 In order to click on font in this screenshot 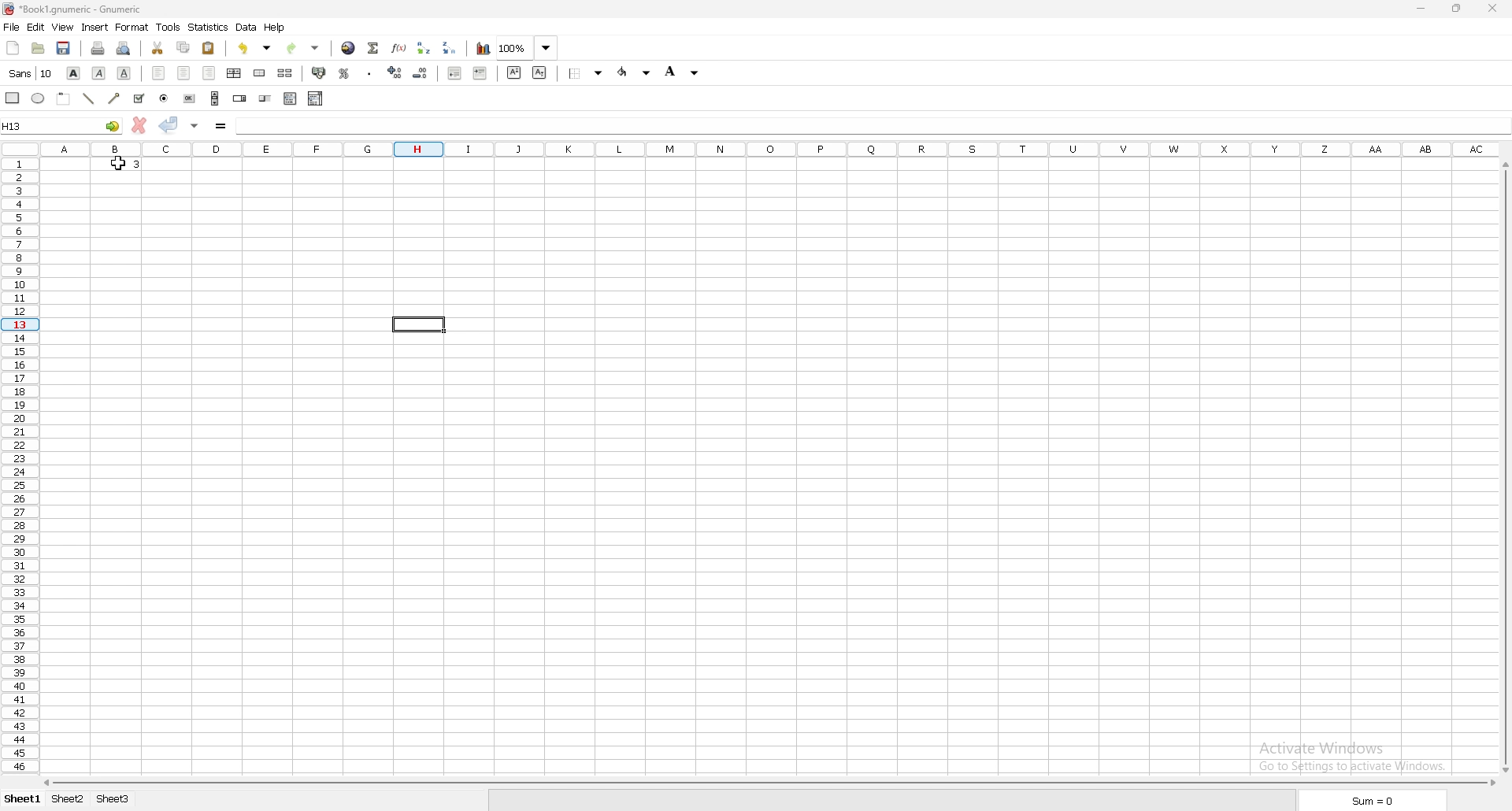, I will do `click(30, 72)`.